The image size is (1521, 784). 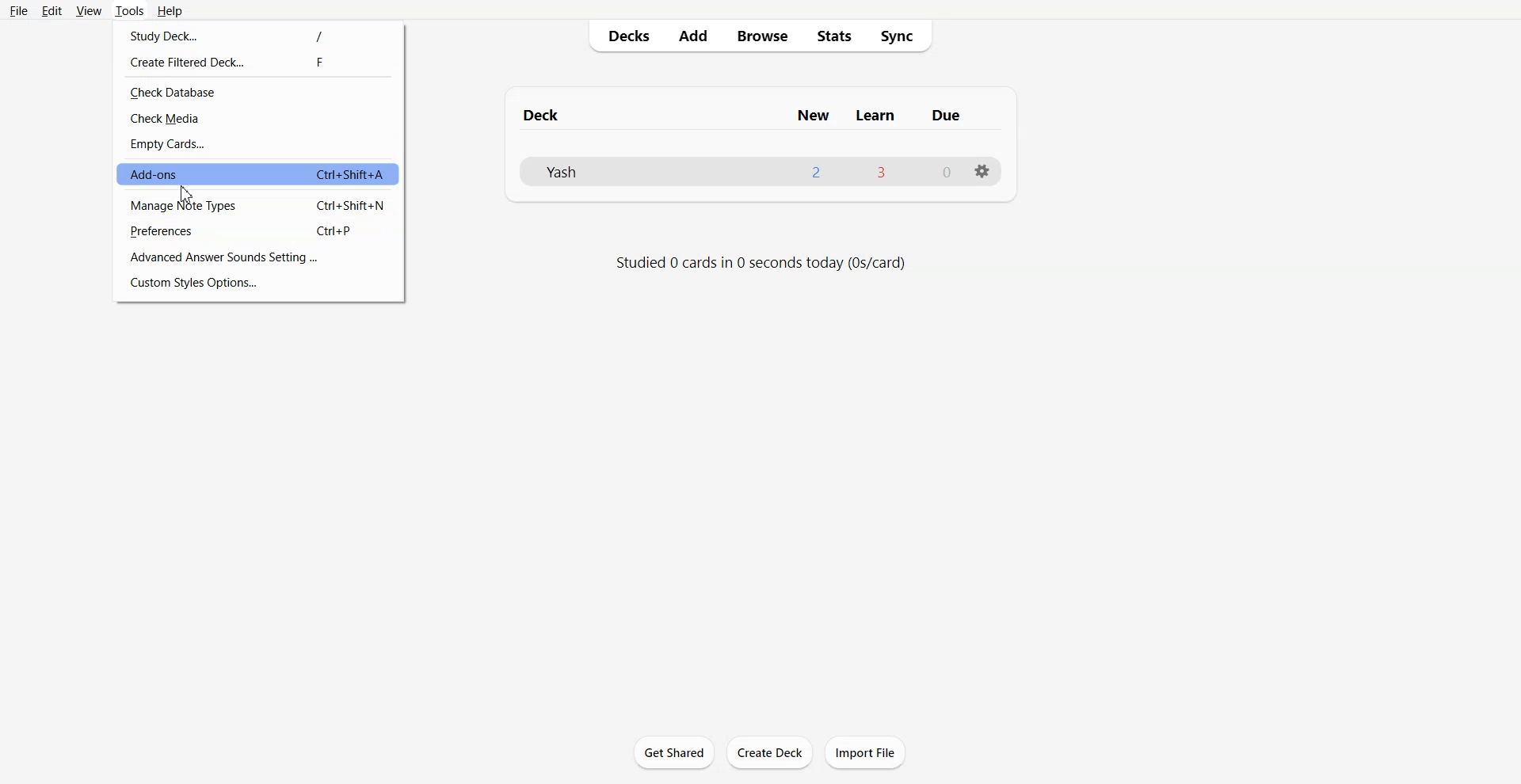 What do you see at coordinates (982, 172) in the screenshot?
I see `Settings` at bounding box center [982, 172].